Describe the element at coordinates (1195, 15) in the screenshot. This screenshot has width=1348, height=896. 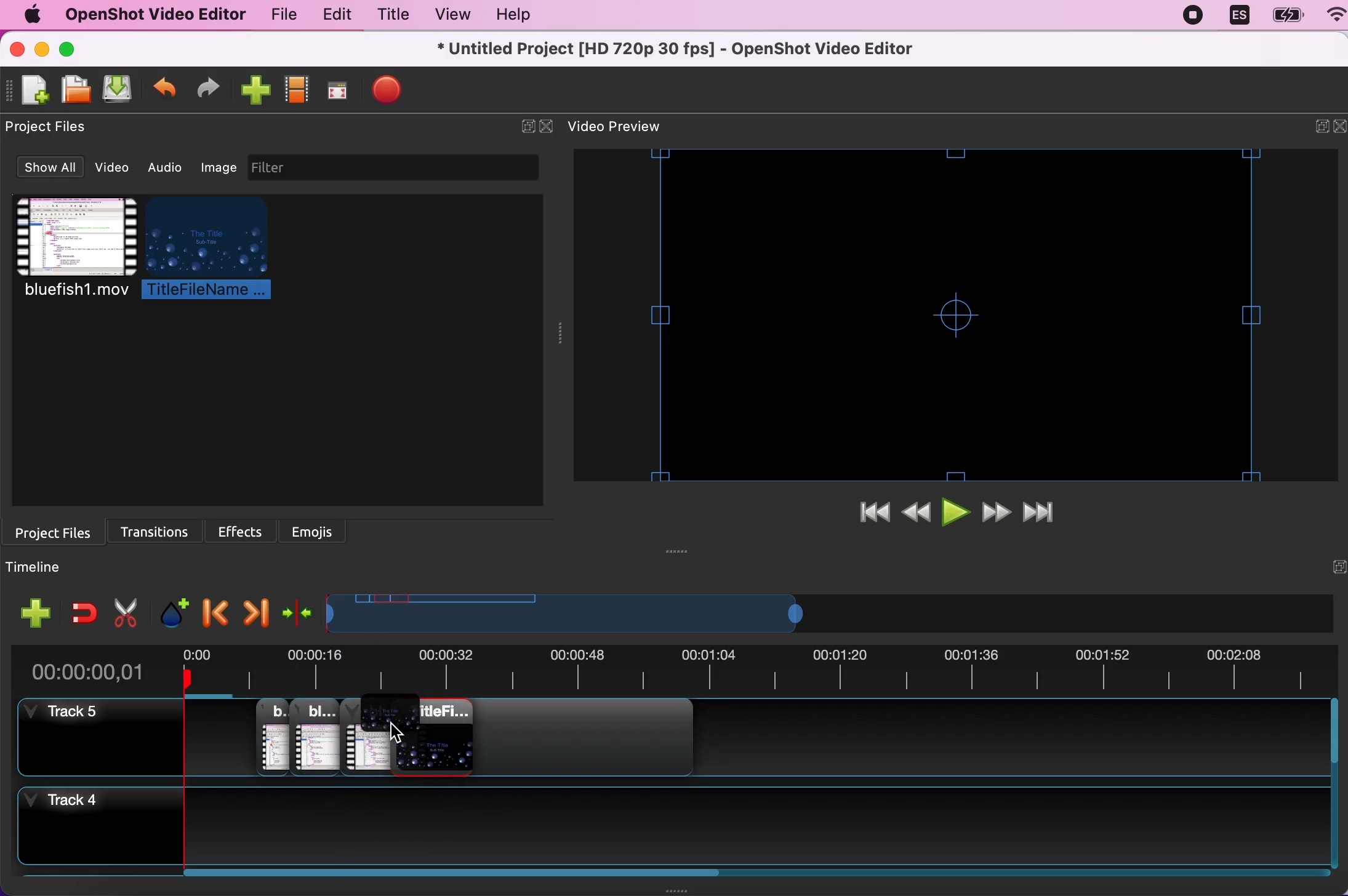
I see `recording stopped` at that location.